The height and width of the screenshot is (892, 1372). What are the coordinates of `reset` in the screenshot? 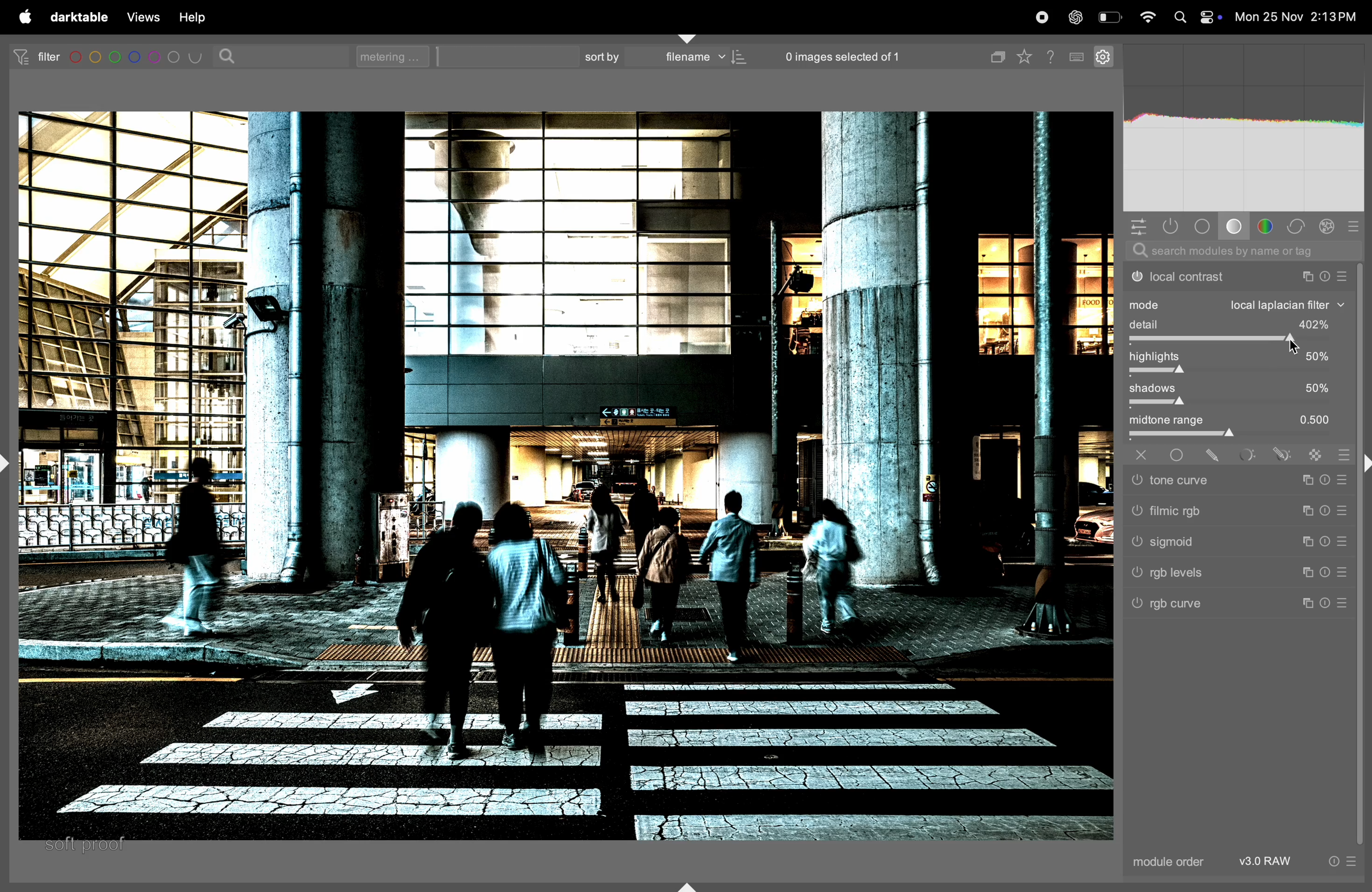 It's located at (1326, 543).